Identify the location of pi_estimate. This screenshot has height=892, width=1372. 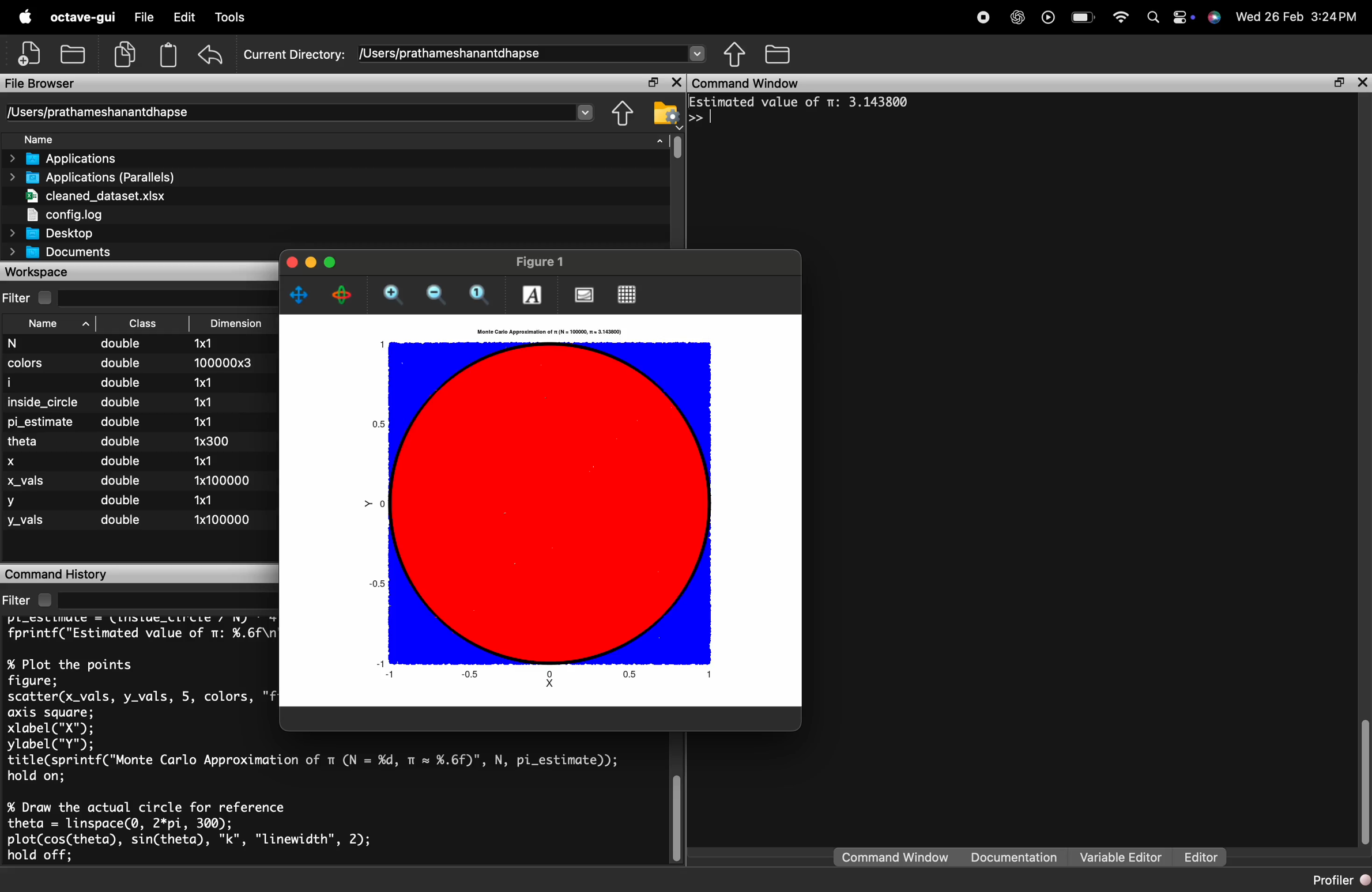
(44, 421).